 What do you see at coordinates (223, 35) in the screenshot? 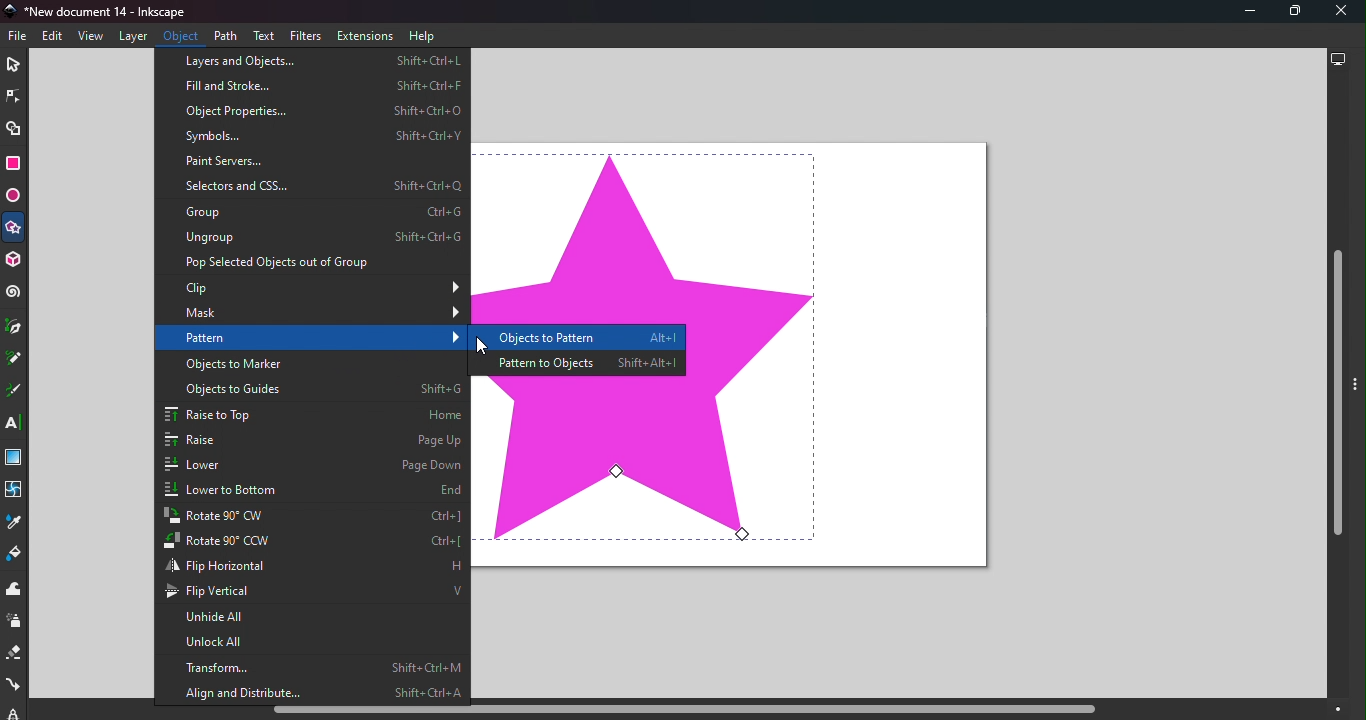
I see `Path` at bounding box center [223, 35].